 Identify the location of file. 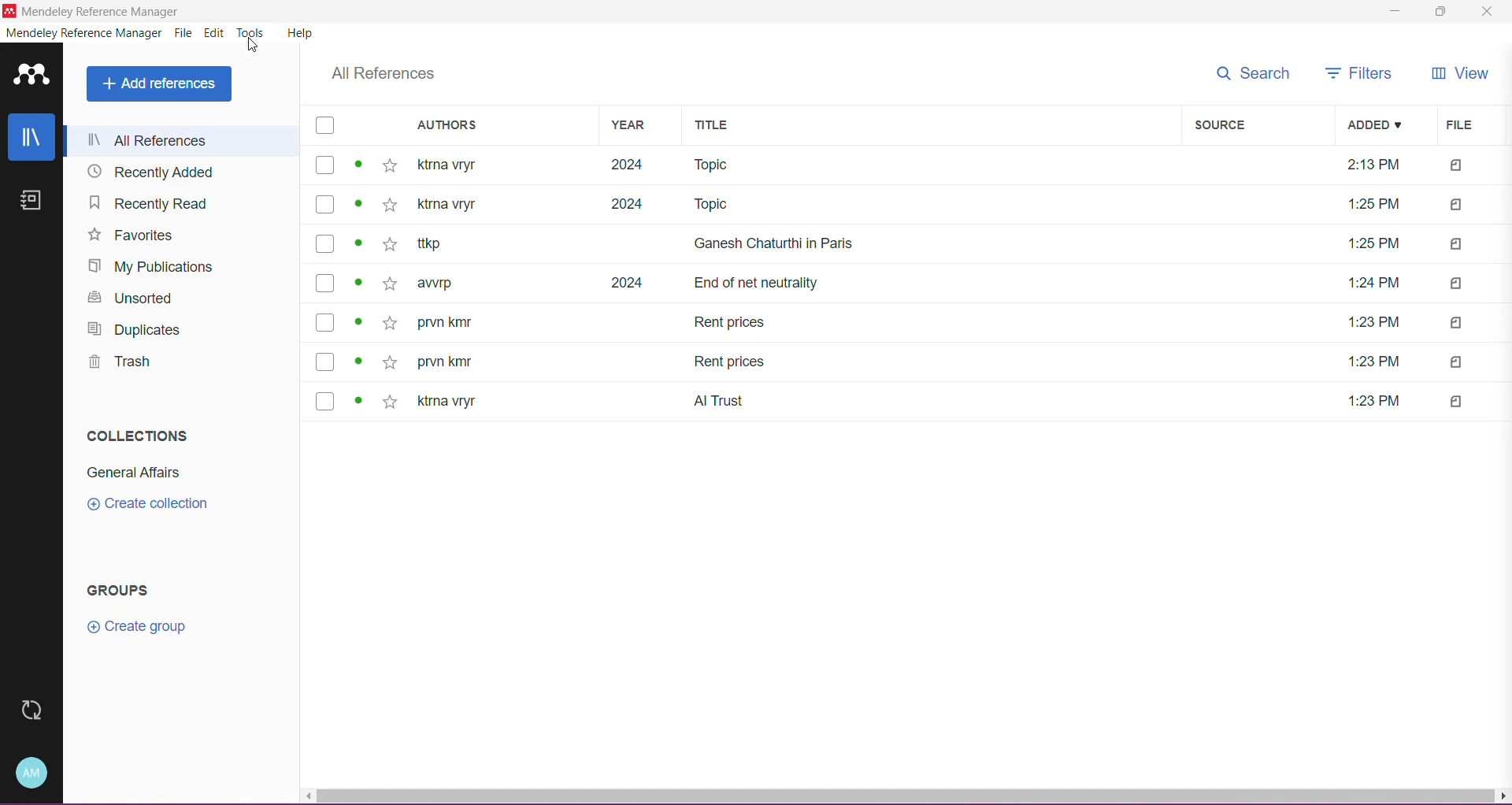
(1458, 402).